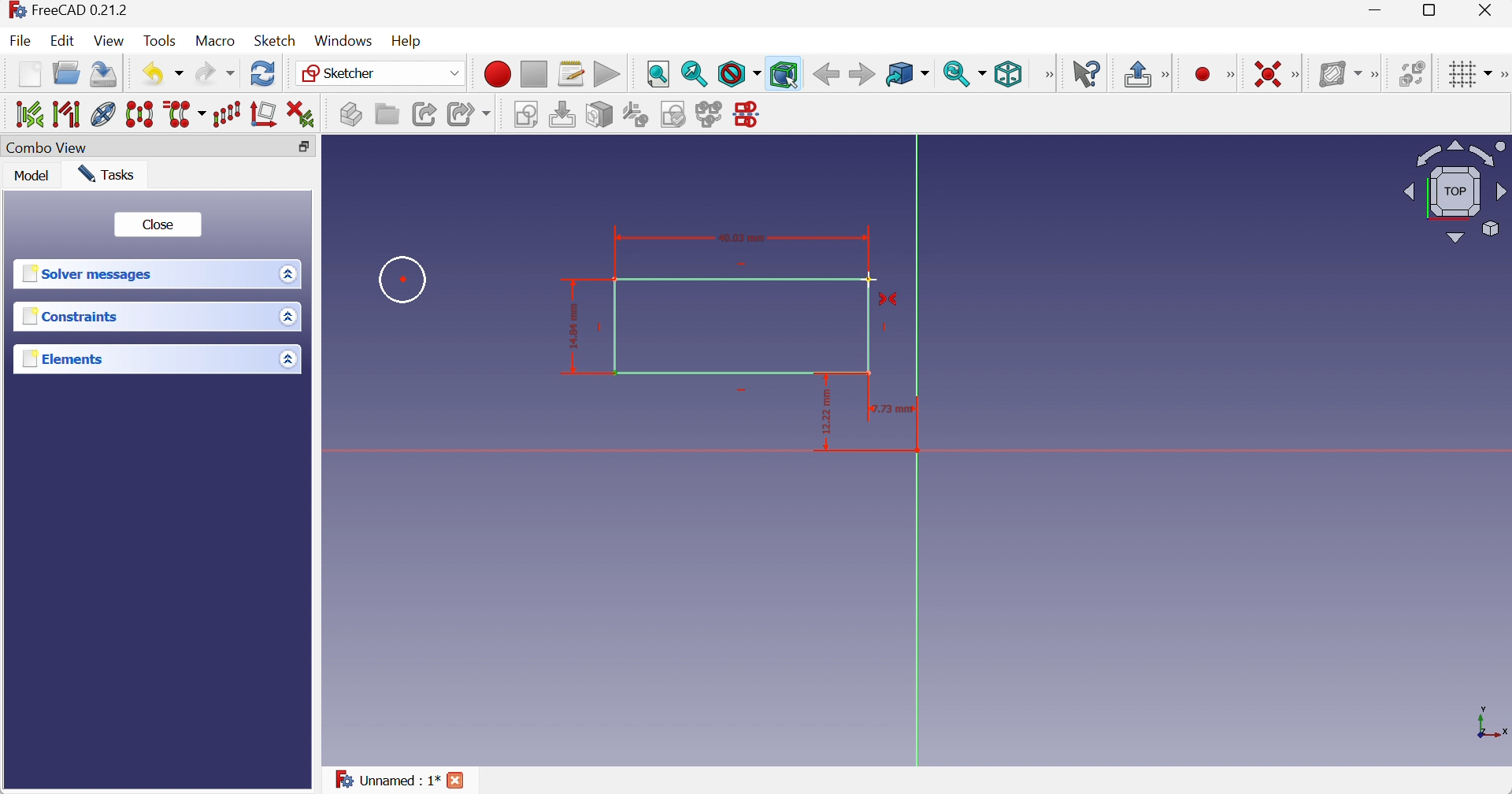 Image resolution: width=1512 pixels, height=794 pixels. Describe the element at coordinates (1377, 74) in the screenshot. I see `[Sketcher B-spline tools]` at that location.